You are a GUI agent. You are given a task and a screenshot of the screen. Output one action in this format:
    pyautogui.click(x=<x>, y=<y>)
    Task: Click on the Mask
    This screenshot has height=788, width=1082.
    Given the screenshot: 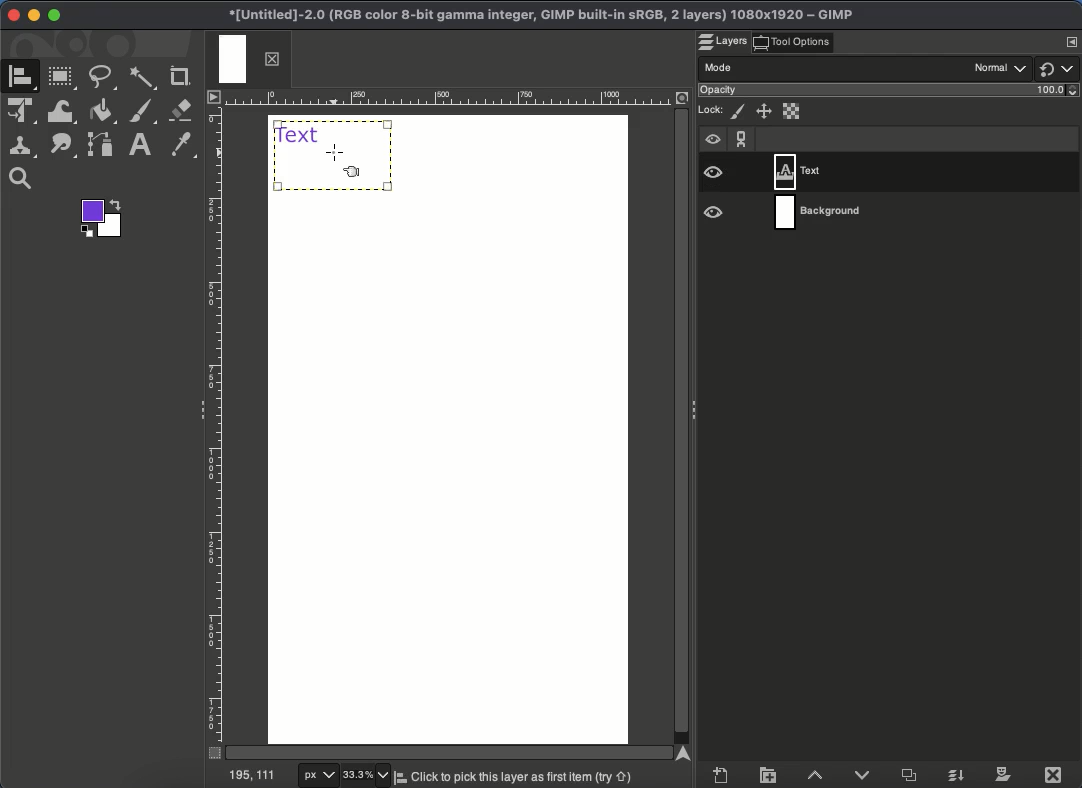 What is the action you would take?
    pyautogui.click(x=1004, y=775)
    